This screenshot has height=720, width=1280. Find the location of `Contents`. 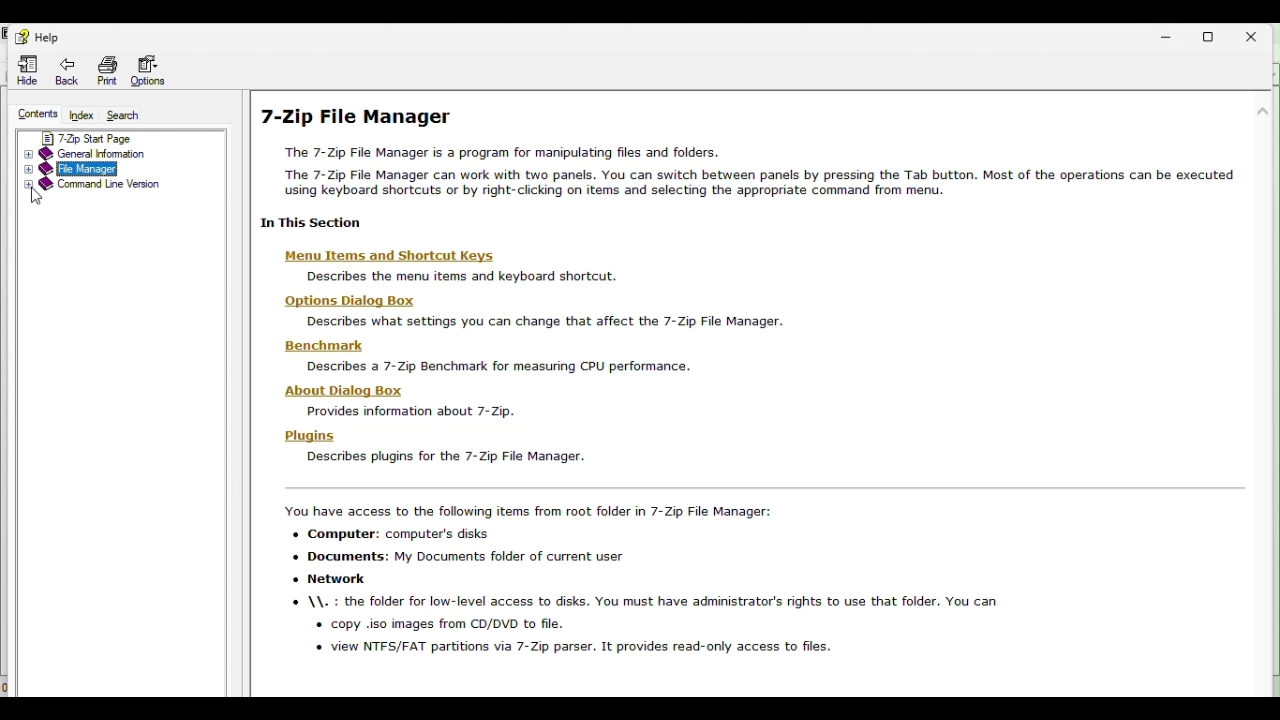

Contents is located at coordinates (40, 114).